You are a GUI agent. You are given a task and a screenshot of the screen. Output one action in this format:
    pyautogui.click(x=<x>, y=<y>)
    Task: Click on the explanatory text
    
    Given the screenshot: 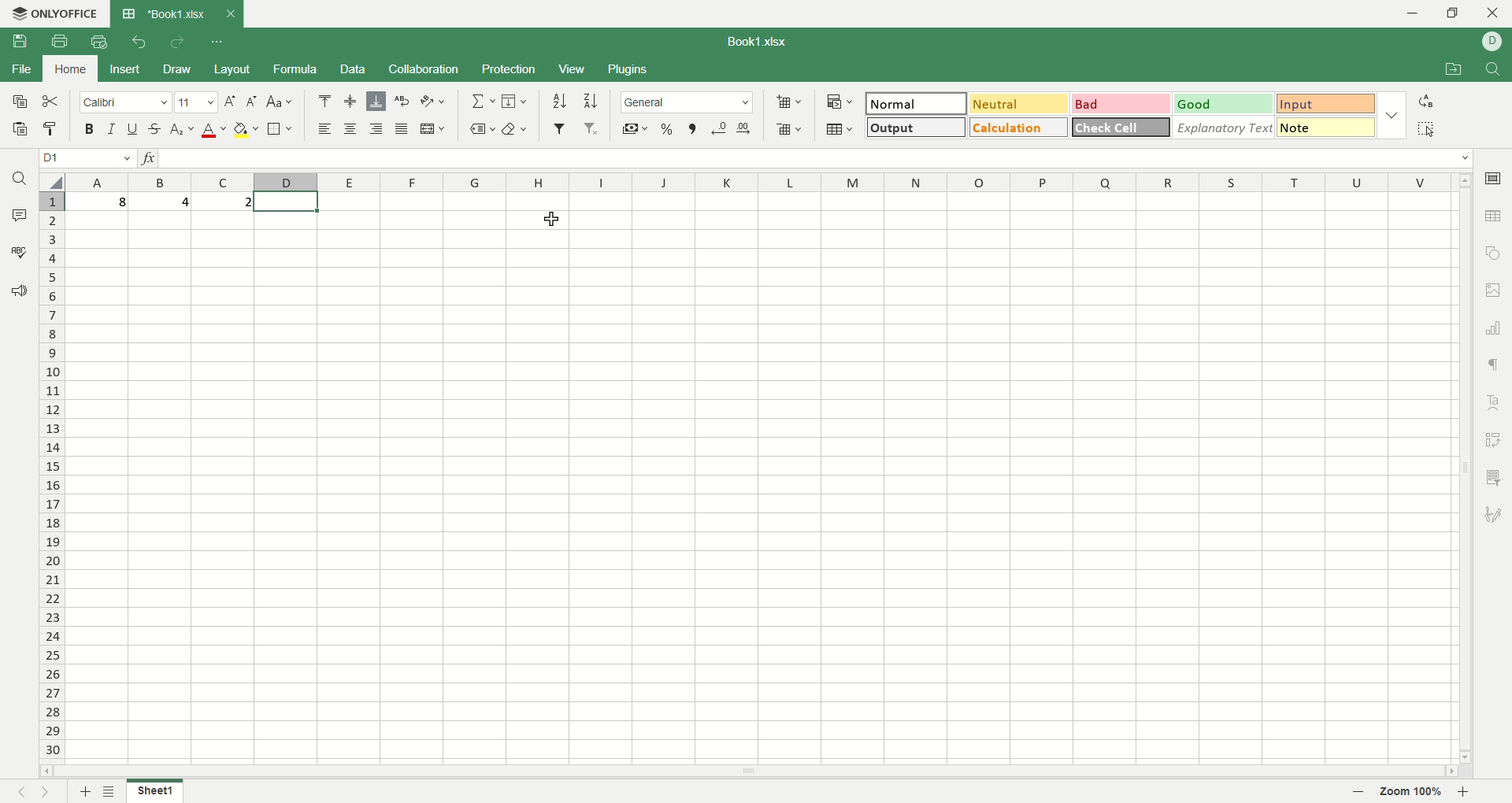 What is the action you would take?
    pyautogui.click(x=1222, y=127)
    